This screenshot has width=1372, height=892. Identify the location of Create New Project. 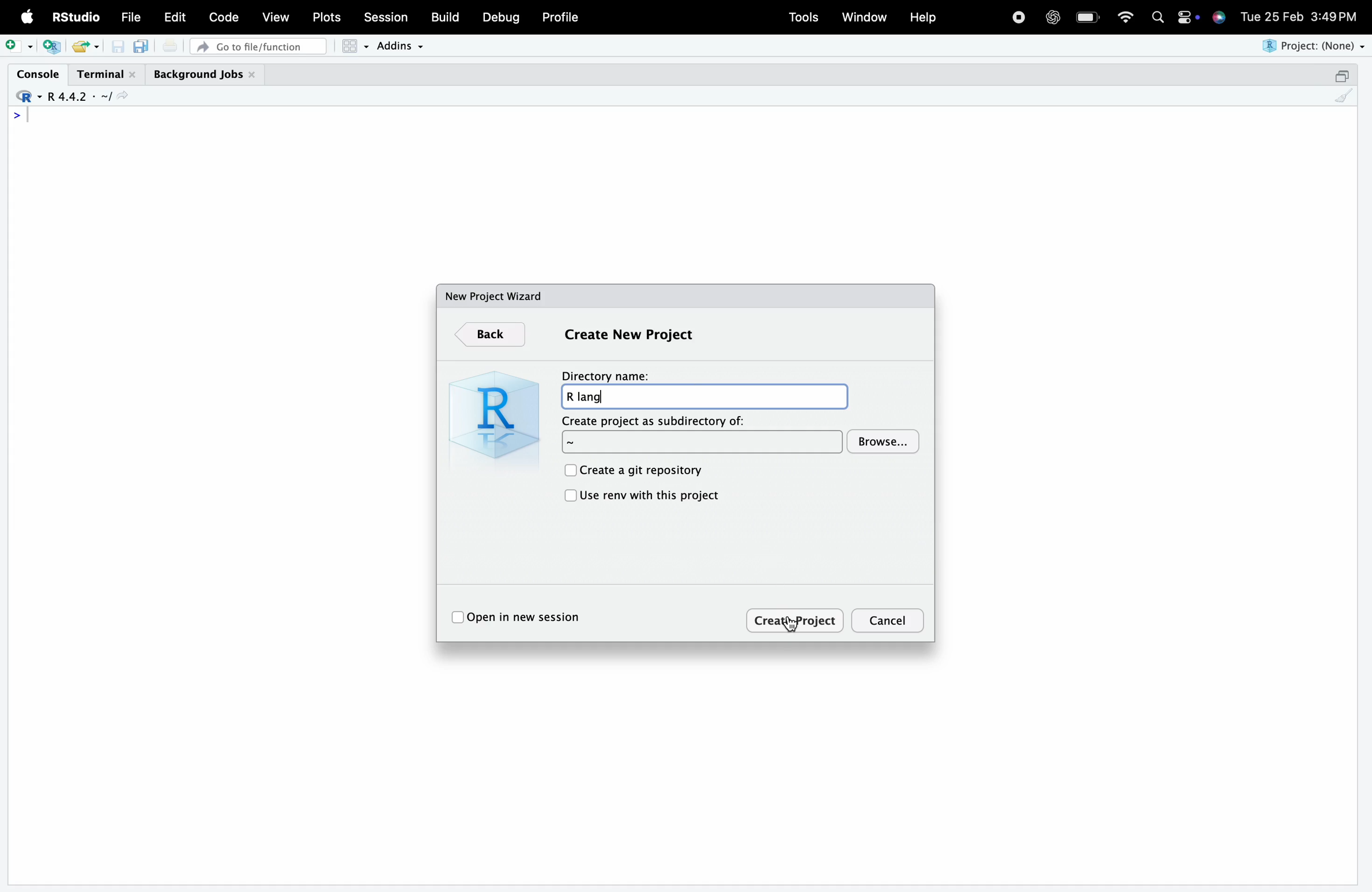
(628, 335).